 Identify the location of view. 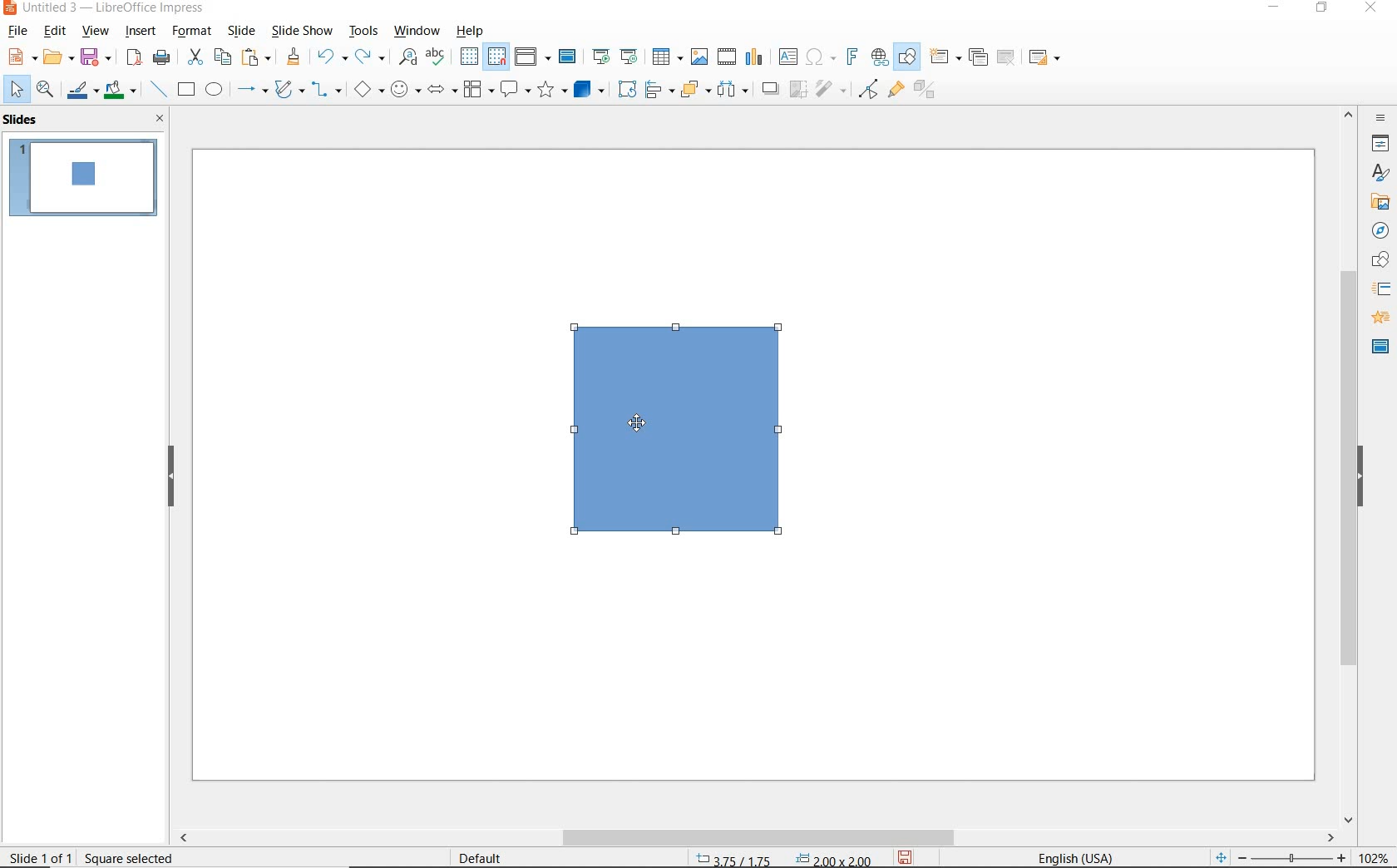
(95, 31).